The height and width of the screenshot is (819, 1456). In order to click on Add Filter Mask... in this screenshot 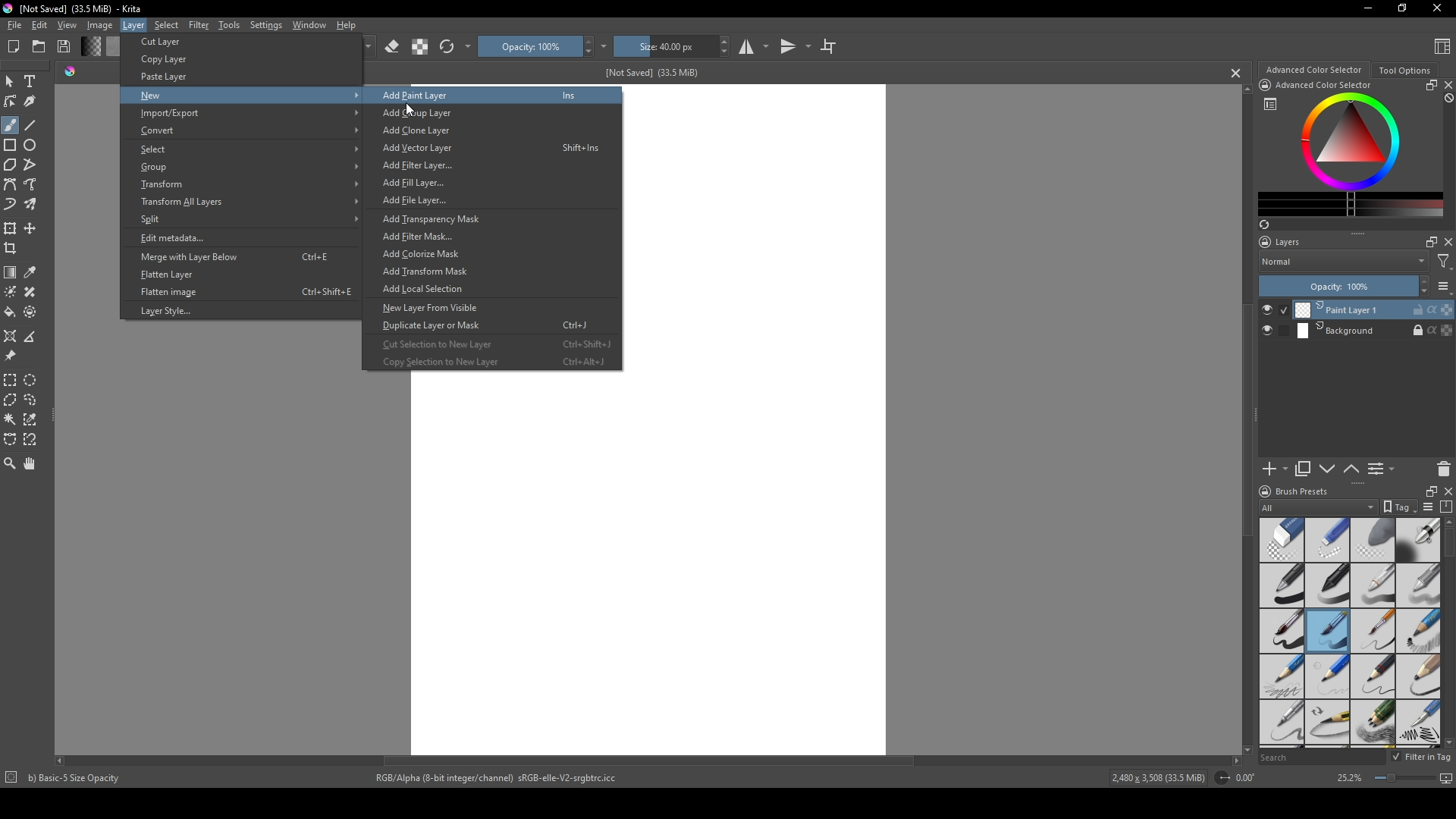, I will do `click(416, 237)`.